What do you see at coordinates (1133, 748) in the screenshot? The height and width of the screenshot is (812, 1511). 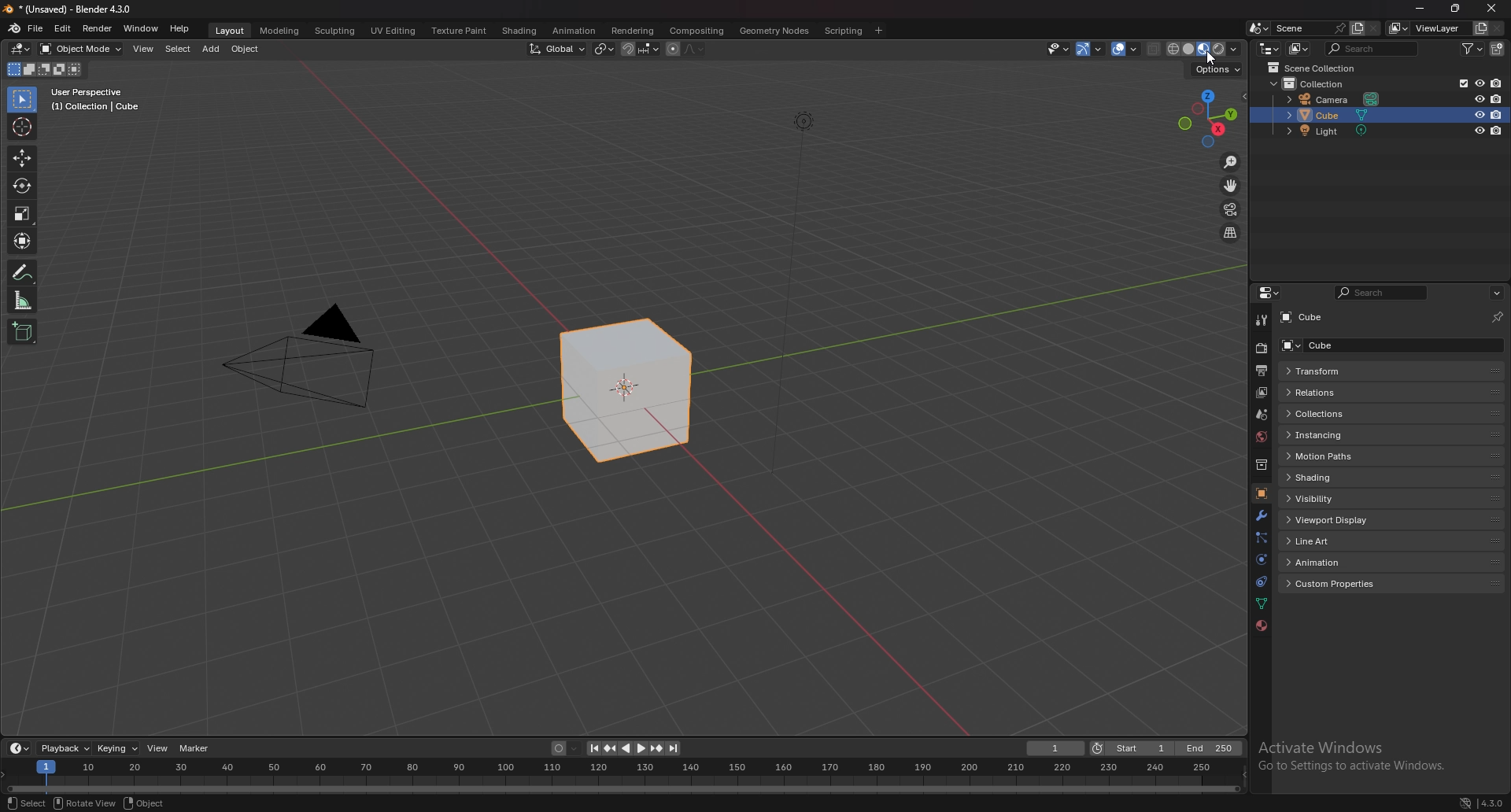 I see `start frame` at bounding box center [1133, 748].